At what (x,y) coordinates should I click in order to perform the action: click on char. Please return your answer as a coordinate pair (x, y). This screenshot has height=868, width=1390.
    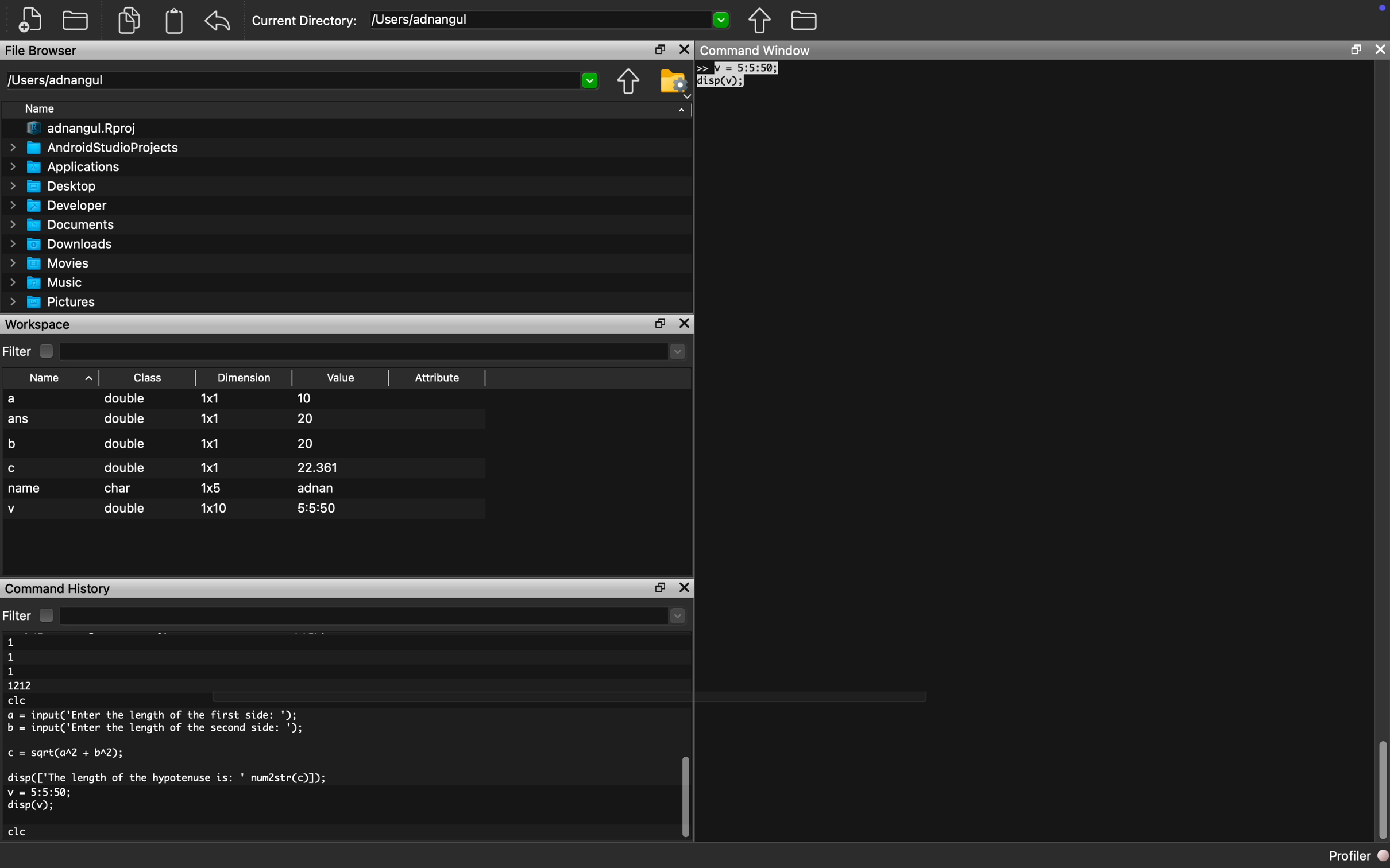
    Looking at the image, I should click on (118, 489).